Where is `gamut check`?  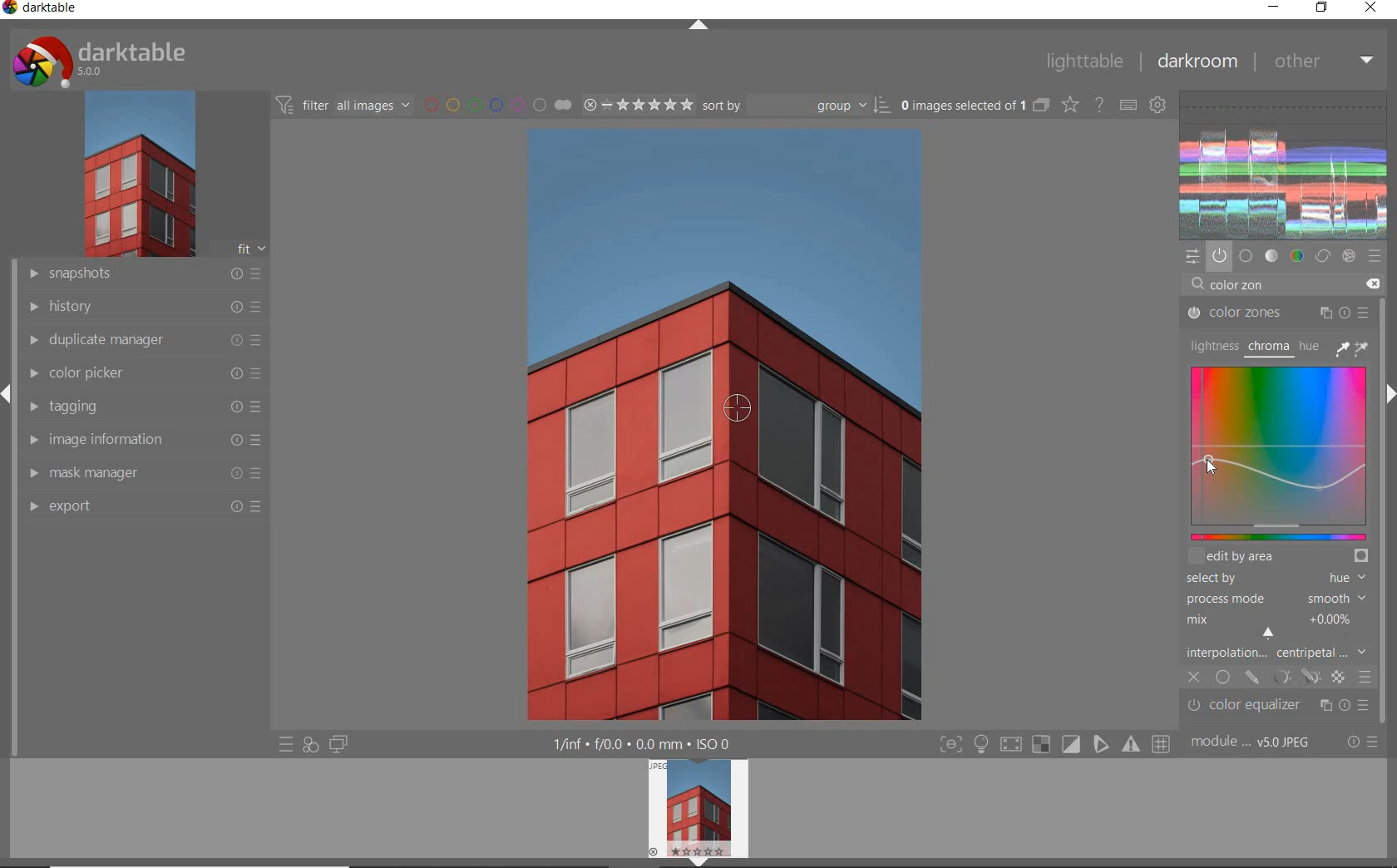 gamut check is located at coordinates (1039, 744).